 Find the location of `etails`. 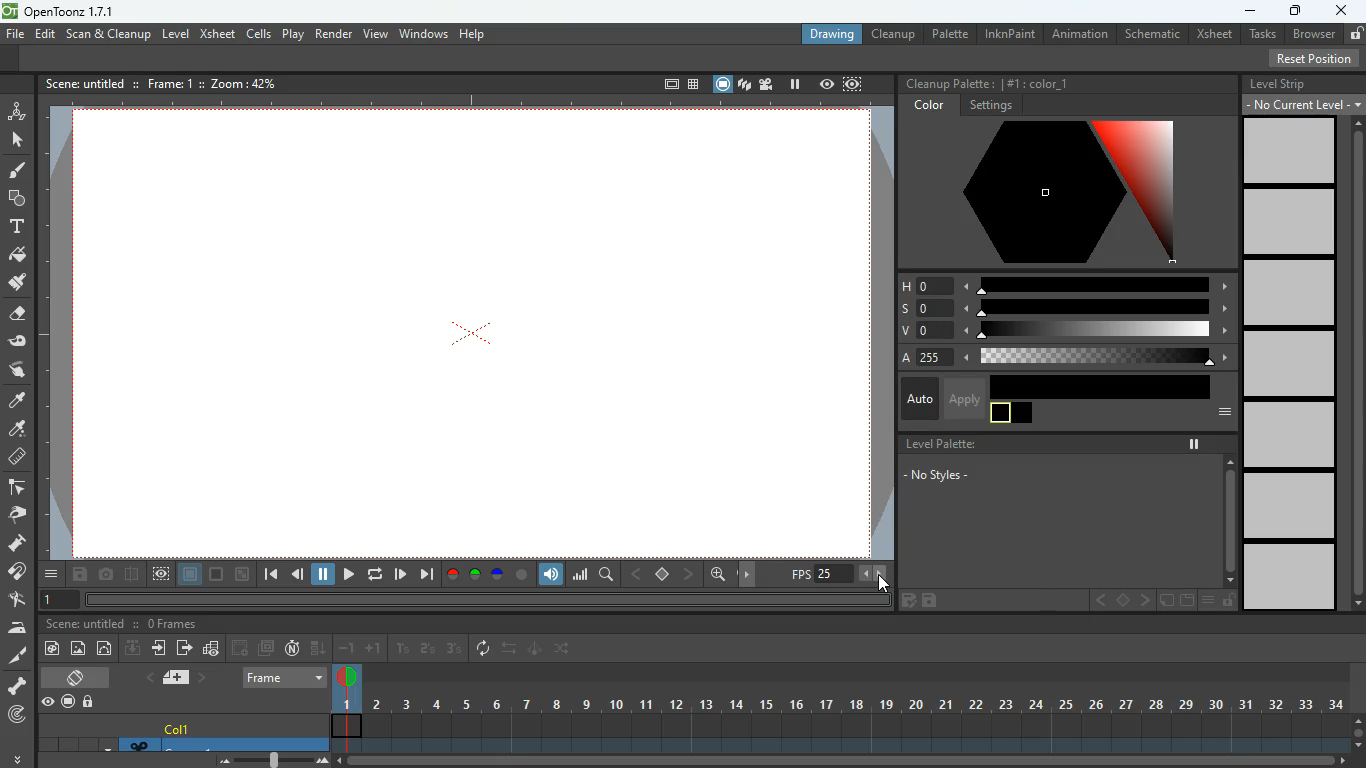

etails is located at coordinates (213, 650).